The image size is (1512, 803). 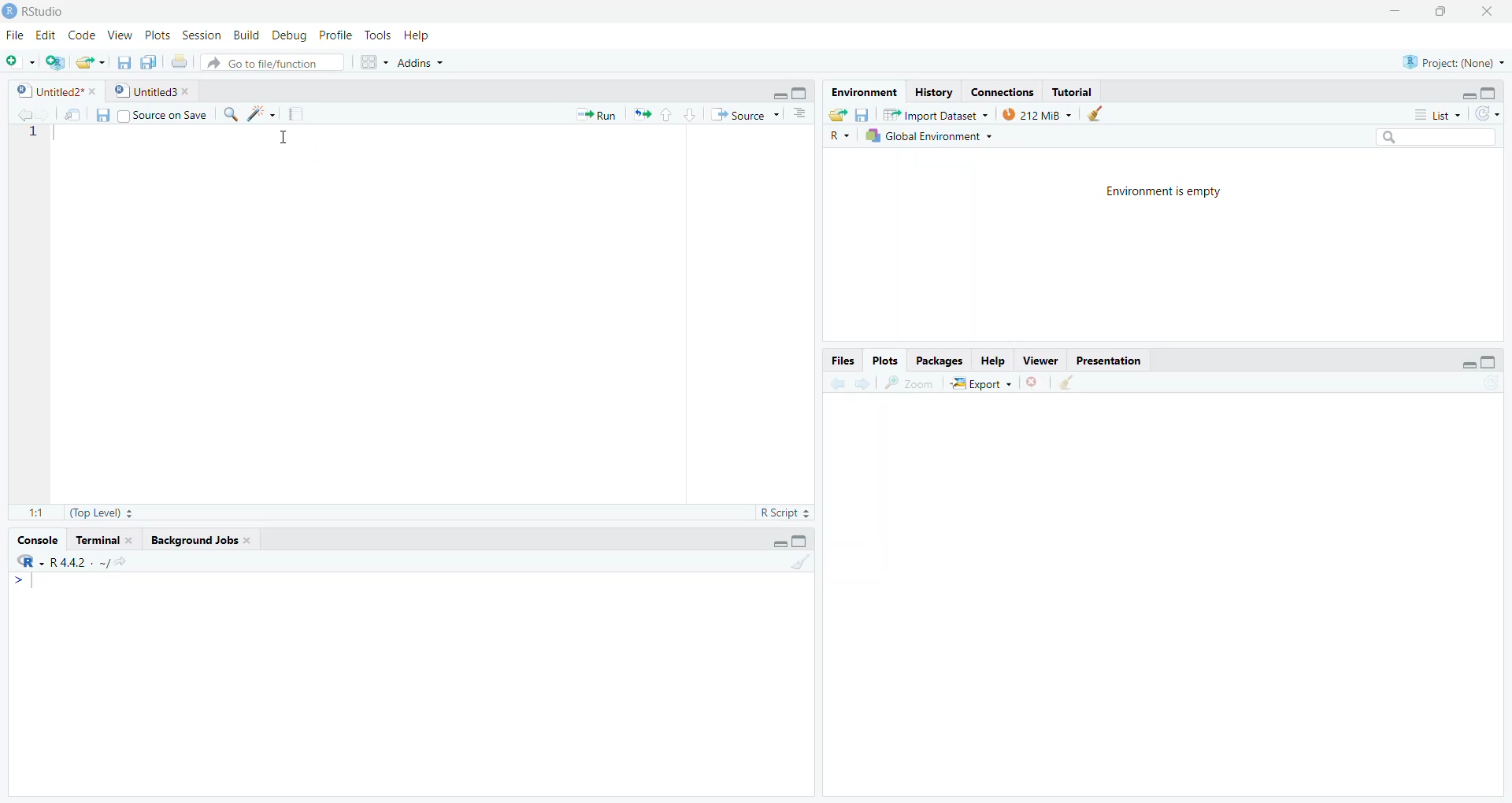 What do you see at coordinates (832, 358) in the screenshot?
I see `FILES` at bounding box center [832, 358].